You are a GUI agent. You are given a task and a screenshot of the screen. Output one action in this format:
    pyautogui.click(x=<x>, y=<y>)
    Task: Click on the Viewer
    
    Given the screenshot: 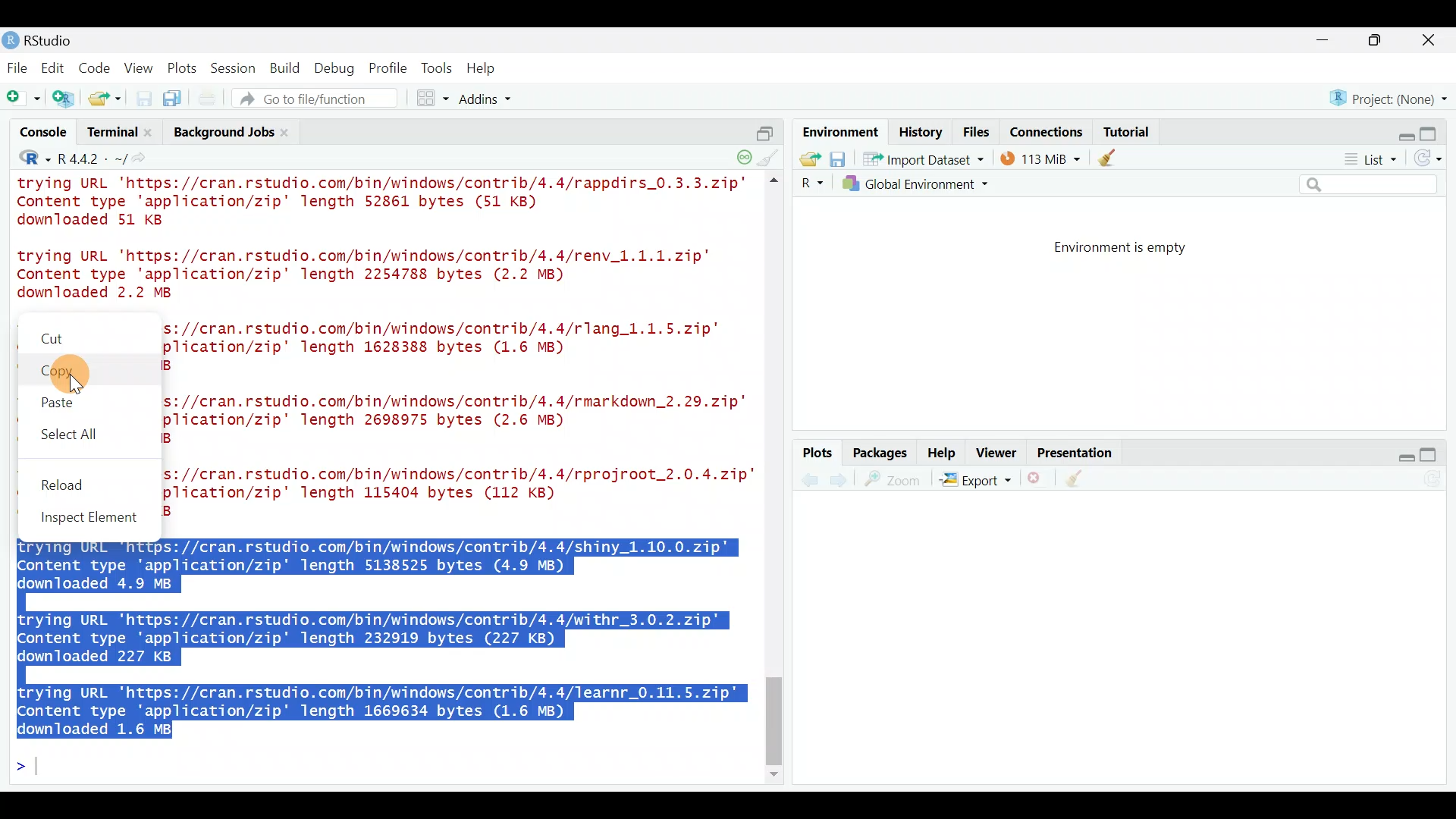 What is the action you would take?
    pyautogui.click(x=996, y=454)
    